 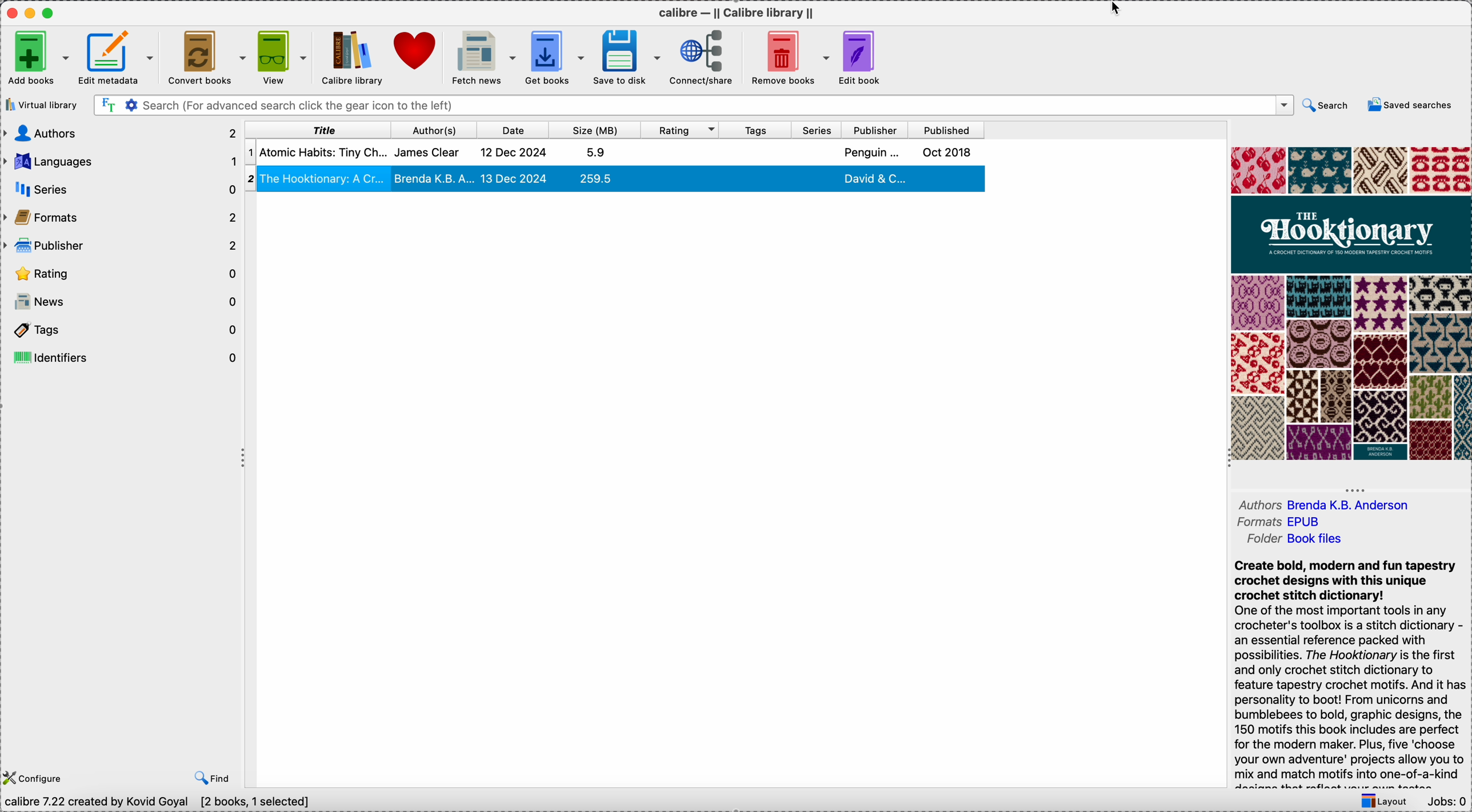 I want to click on The Hooktionary book details selected, so click(x=617, y=182).